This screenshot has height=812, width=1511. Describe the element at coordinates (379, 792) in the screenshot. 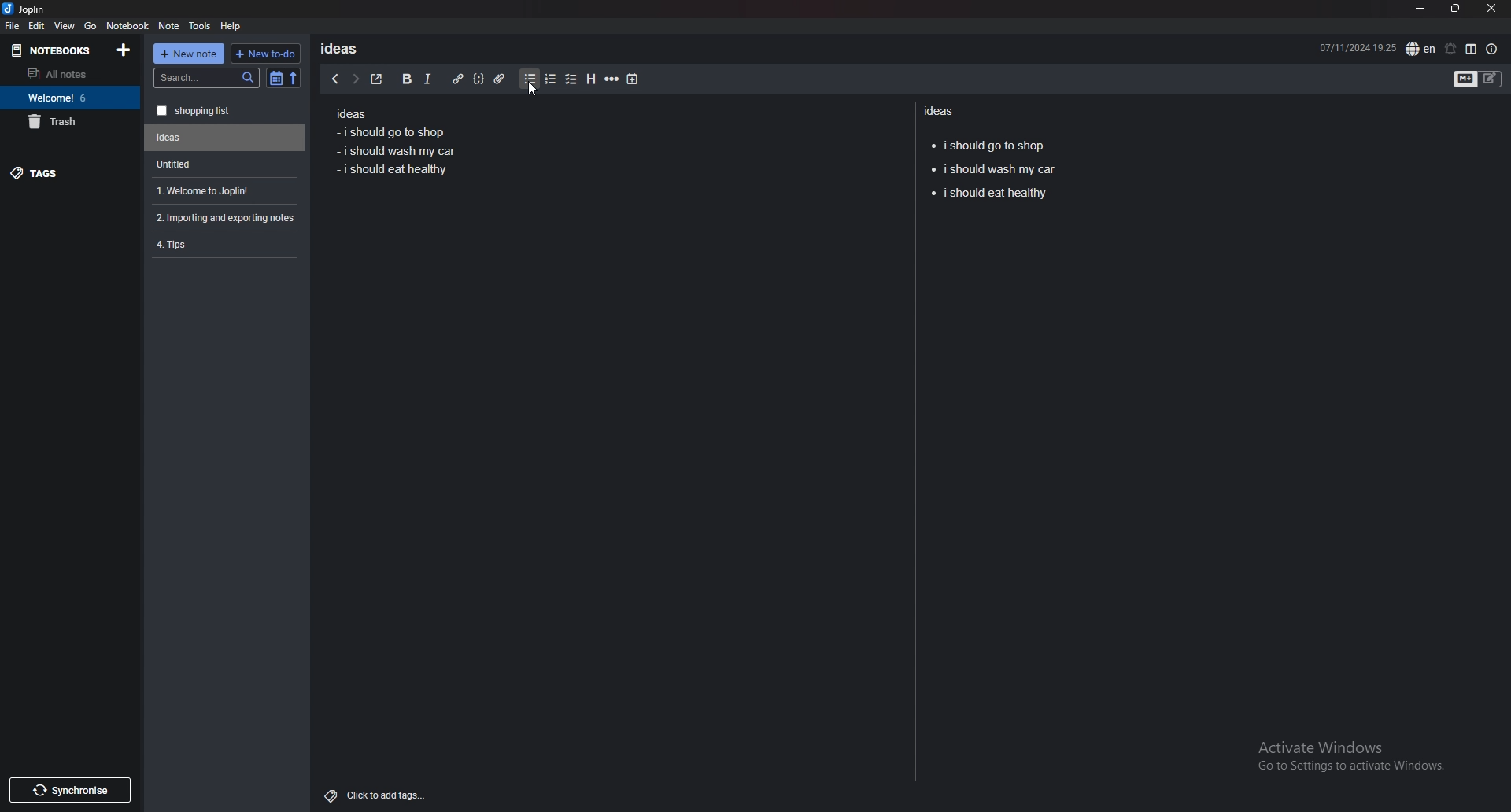

I see `Click to add tags` at that location.